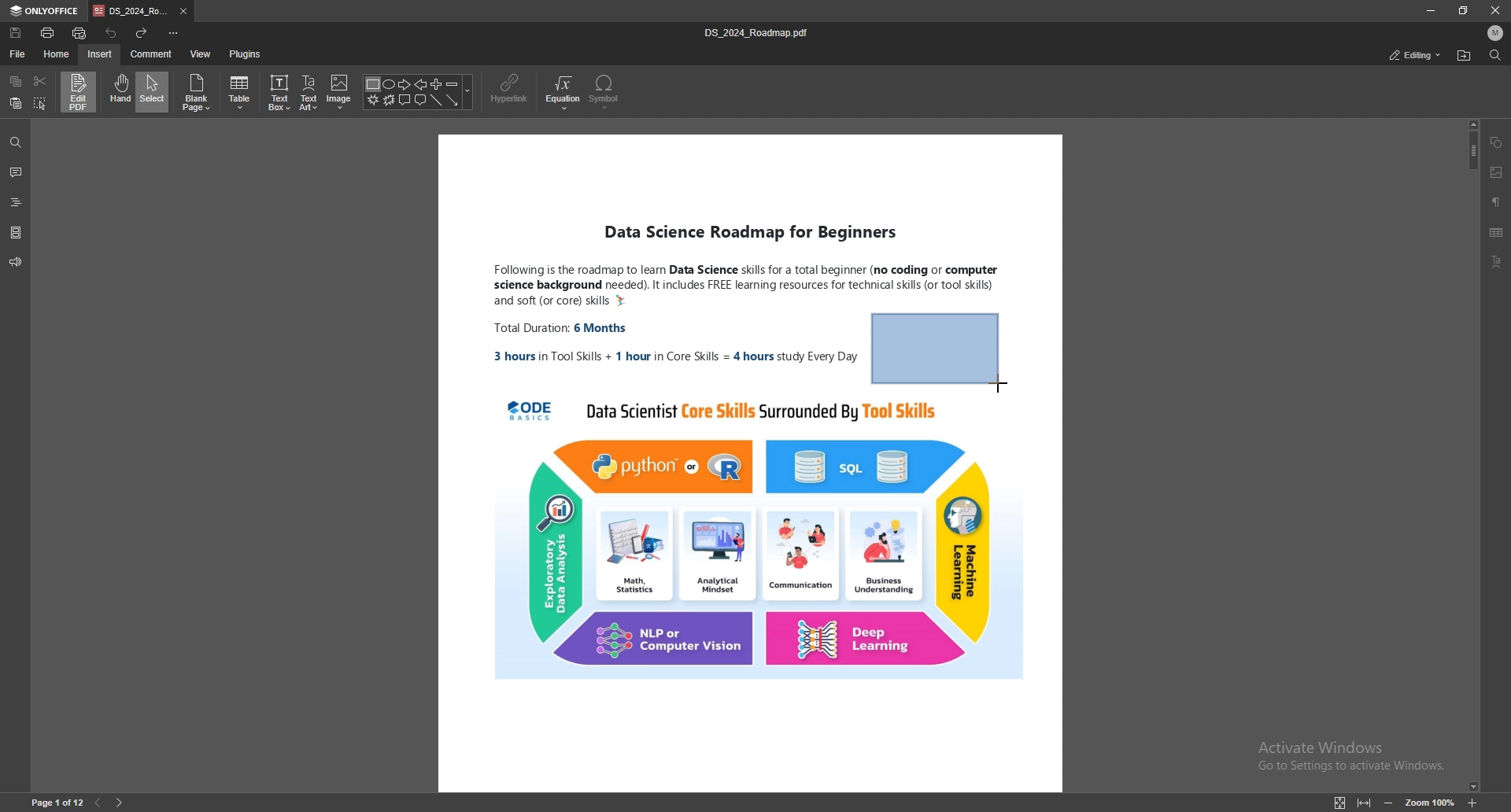 The image size is (1511, 812). Describe the element at coordinates (310, 92) in the screenshot. I see `text art` at that location.